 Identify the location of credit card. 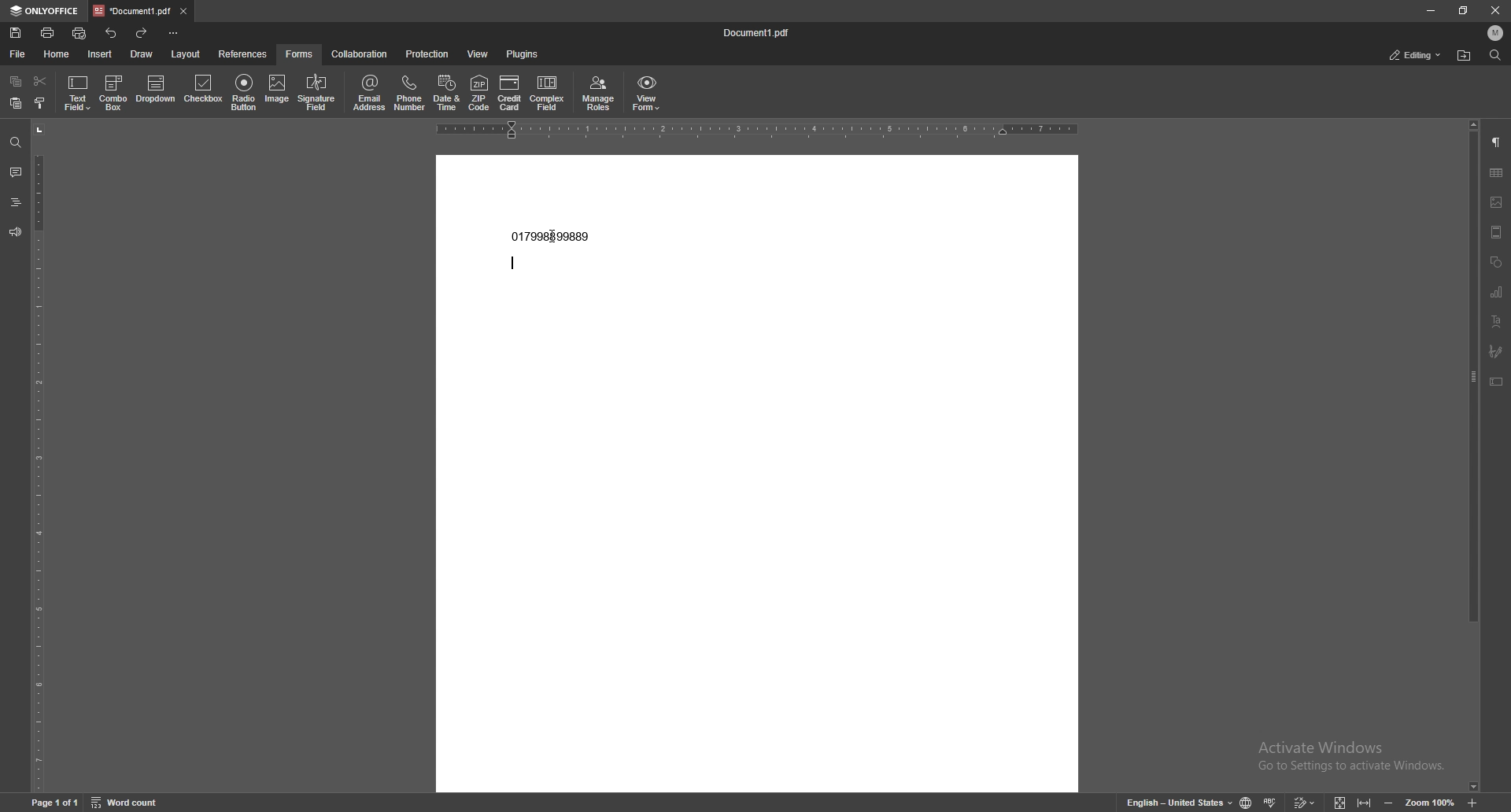
(510, 94).